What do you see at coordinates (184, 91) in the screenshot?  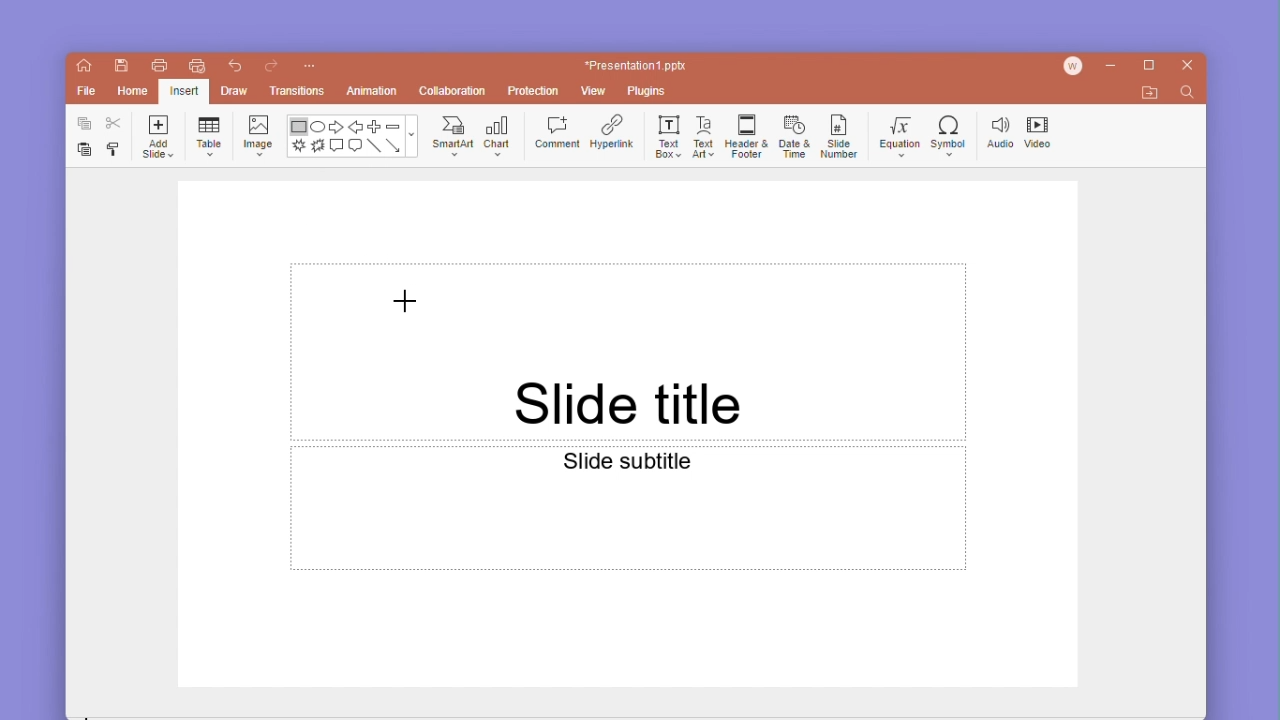 I see `Selected insert` at bounding box center [184, 91].